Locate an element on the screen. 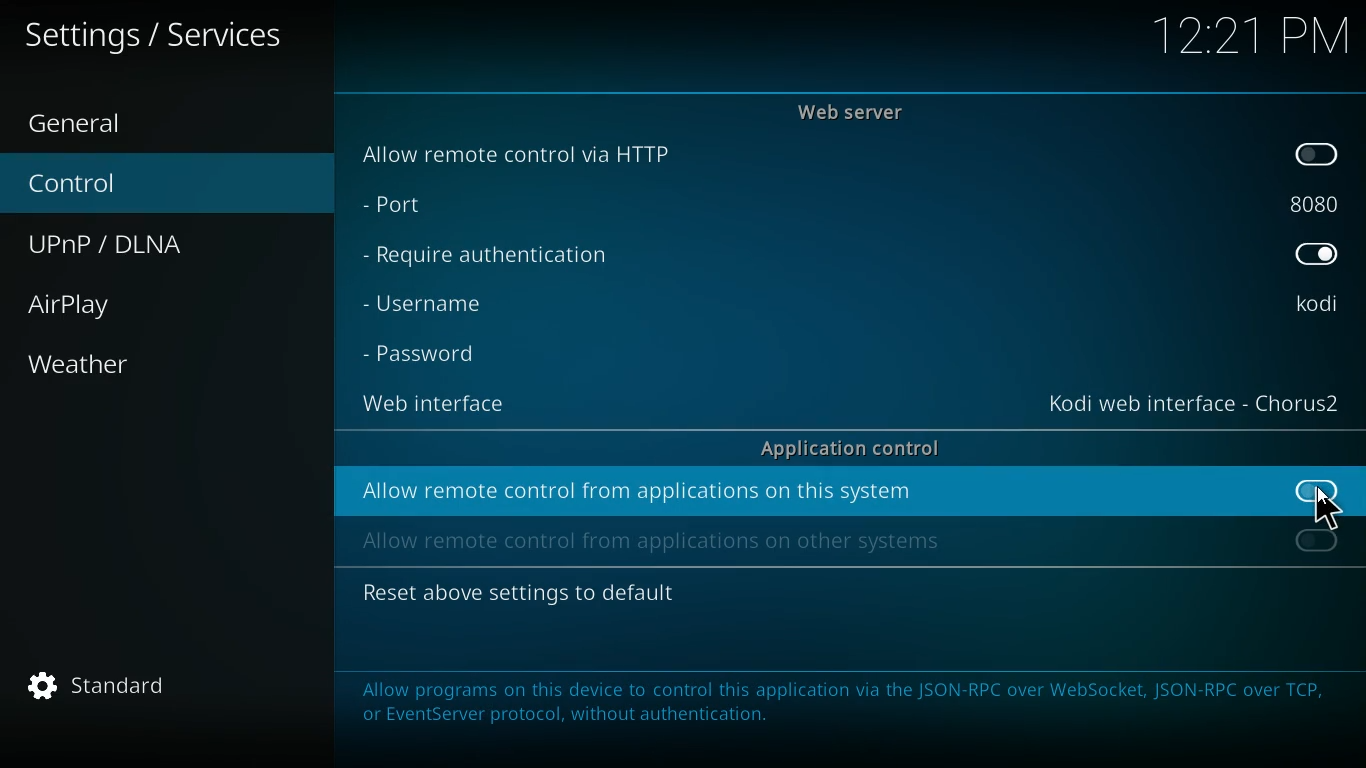  allow remote control is located at coordinates (639, 491).